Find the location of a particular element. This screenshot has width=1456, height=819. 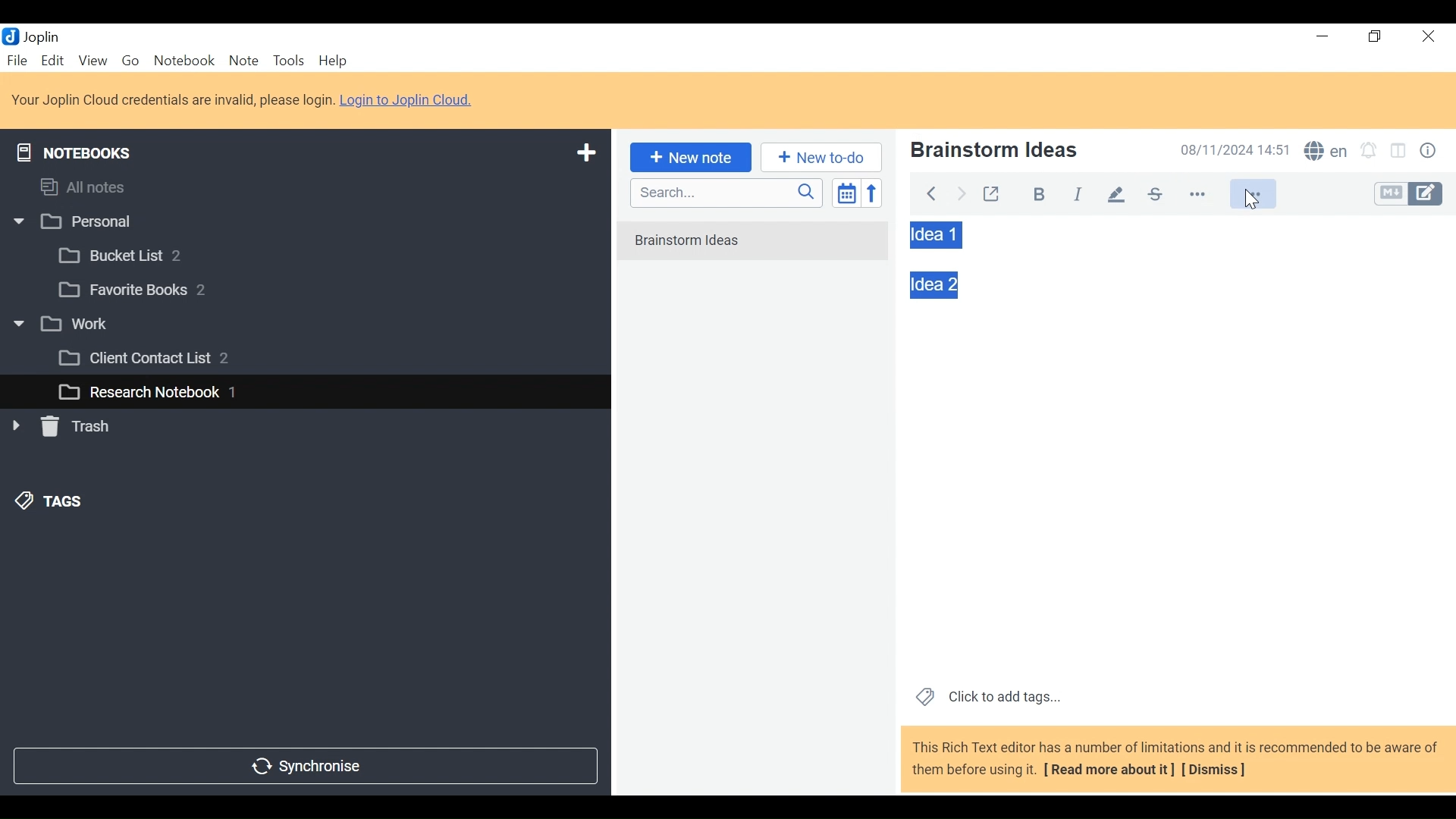

Help is located at coordinates (335, 61).